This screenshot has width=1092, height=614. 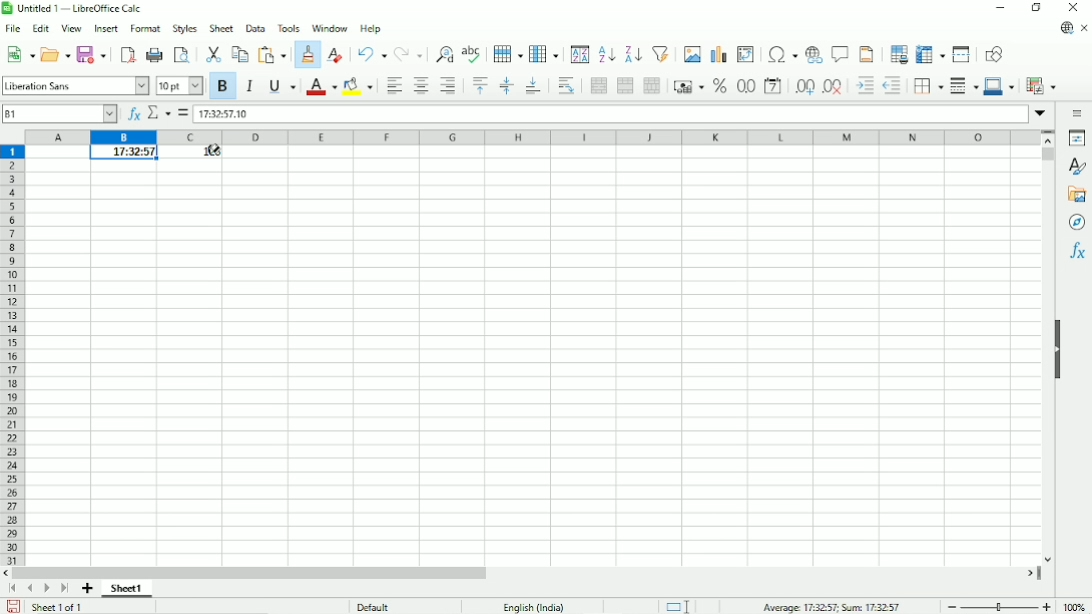 I want to click on Merge cells, so click(x=624, y=86).